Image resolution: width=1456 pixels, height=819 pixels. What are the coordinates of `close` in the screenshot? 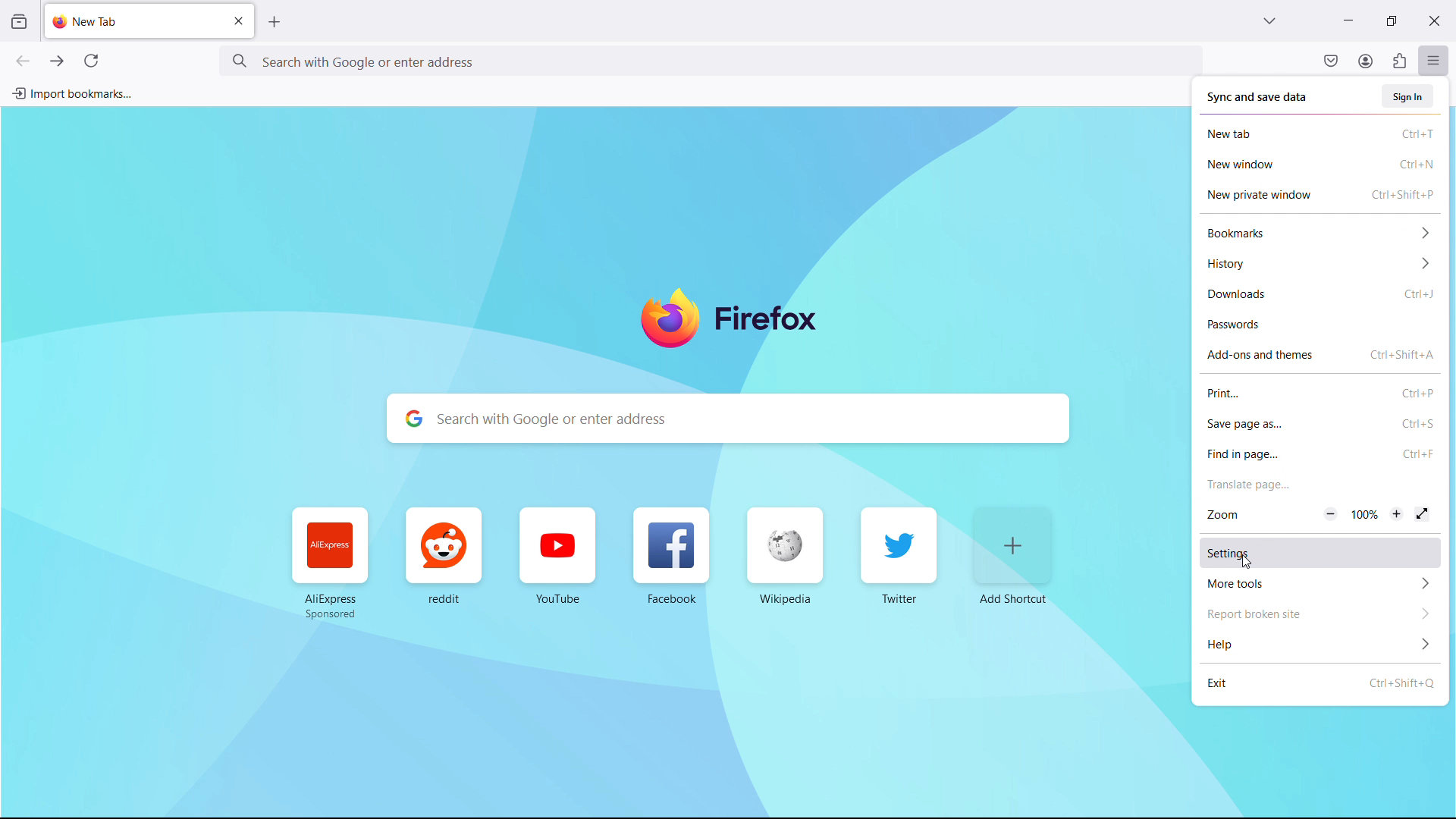 It's located at (1433, 18).